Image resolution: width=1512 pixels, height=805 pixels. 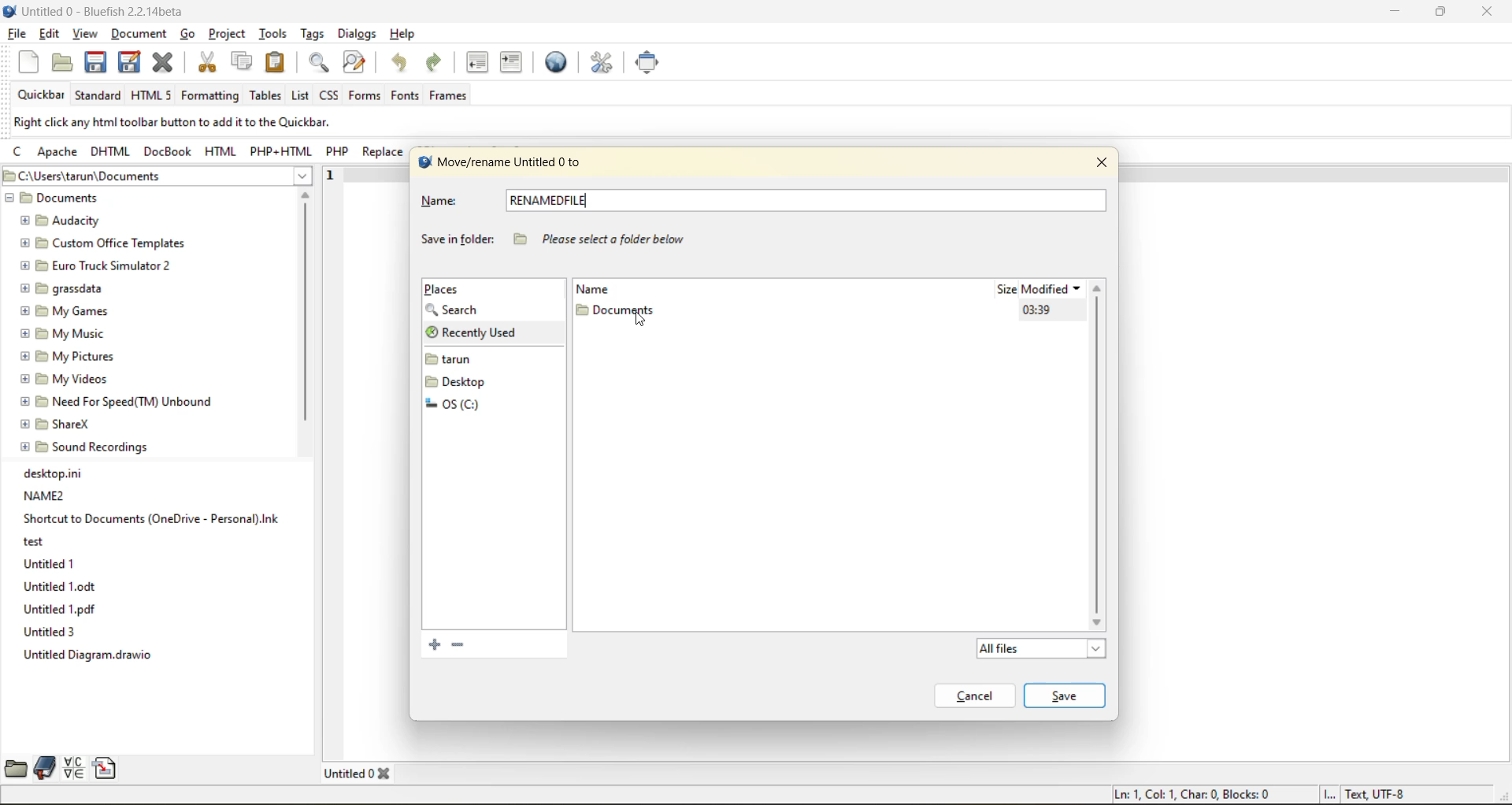 I want to click on Untitled Diagram.drawio, so click(x=91, y=655).